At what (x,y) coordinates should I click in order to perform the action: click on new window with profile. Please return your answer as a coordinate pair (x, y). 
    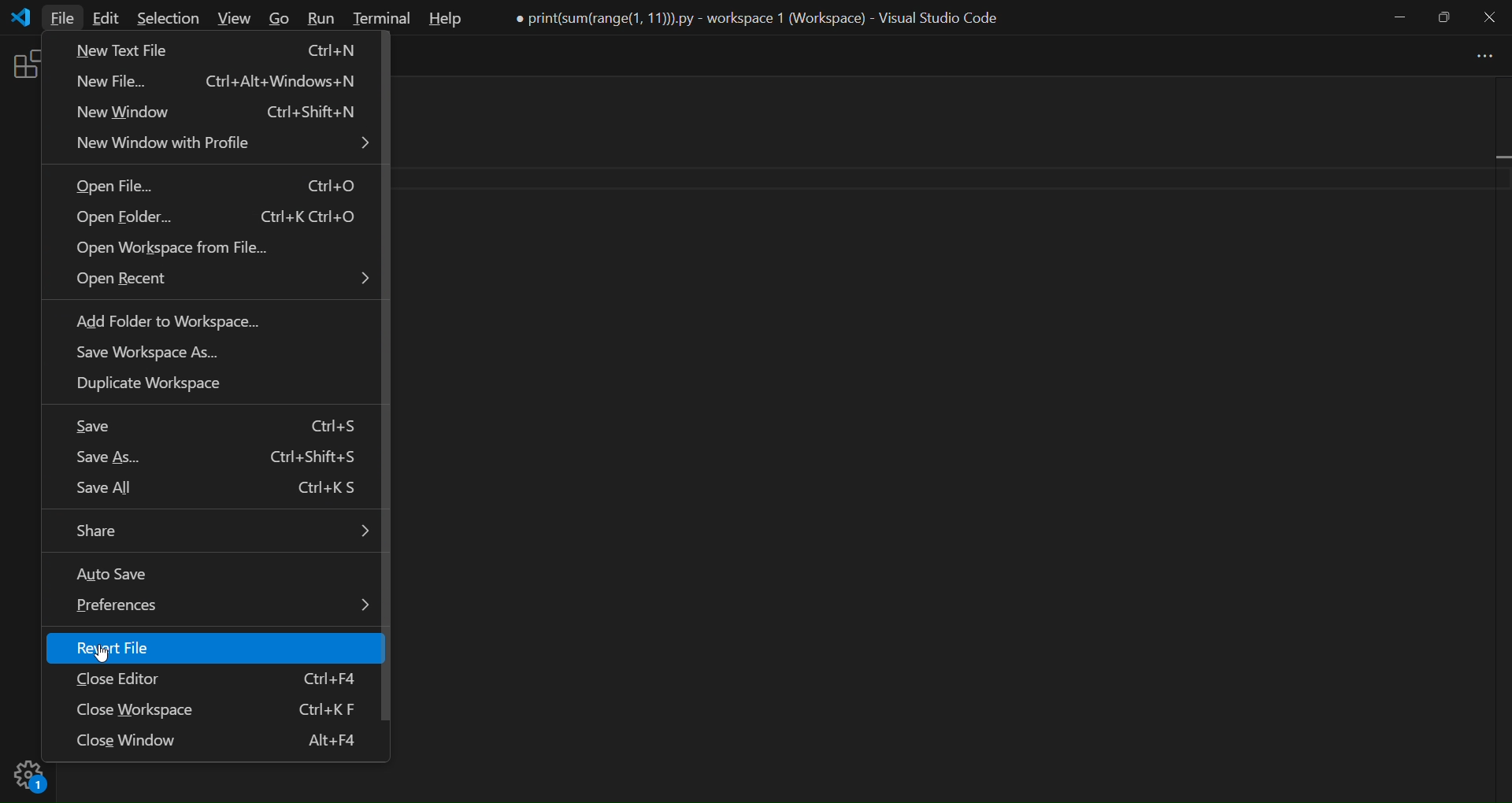
    Looking at the image, I should click on (224, 143).